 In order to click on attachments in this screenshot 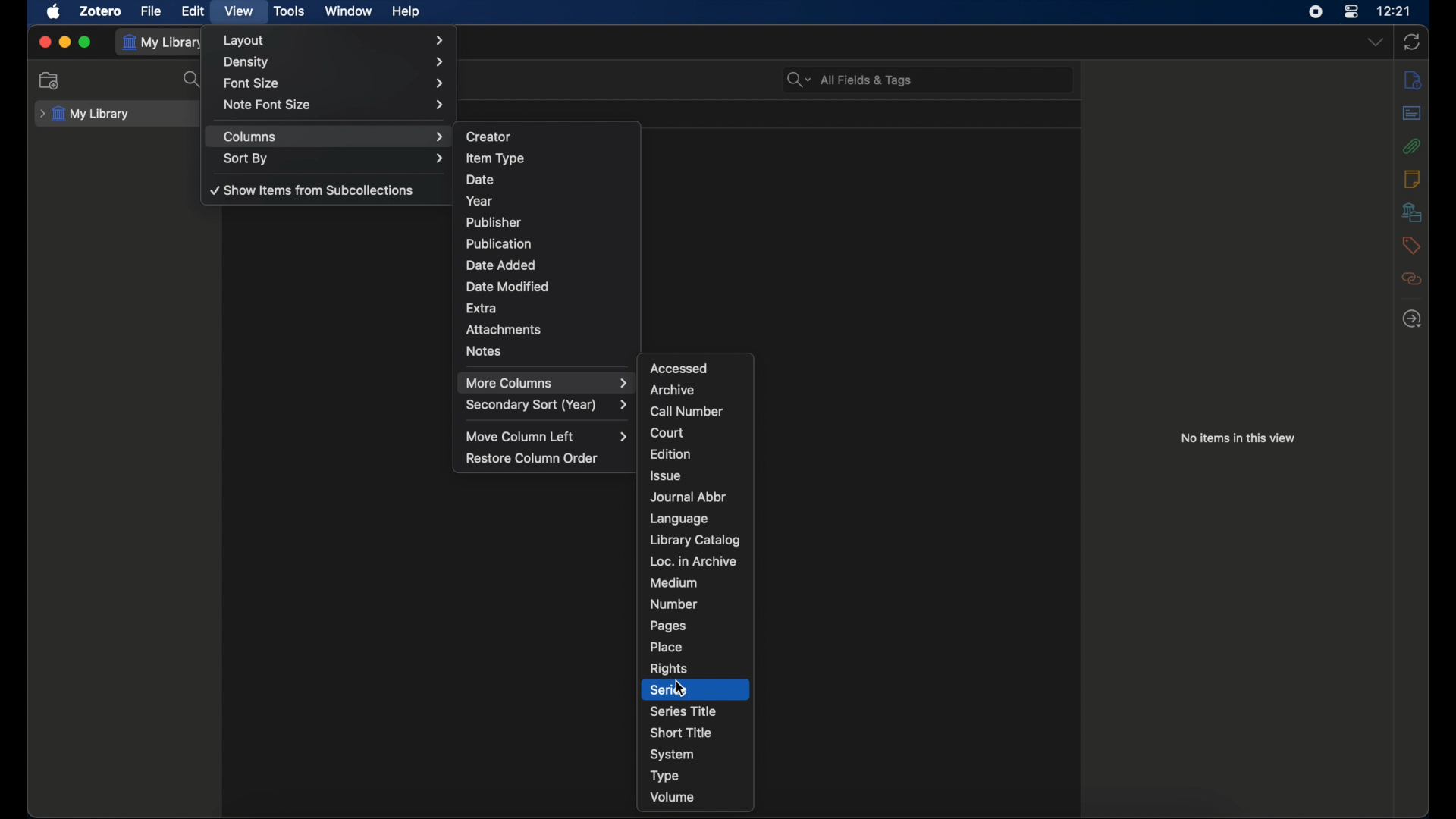, I will do `click(1411, 146)`.